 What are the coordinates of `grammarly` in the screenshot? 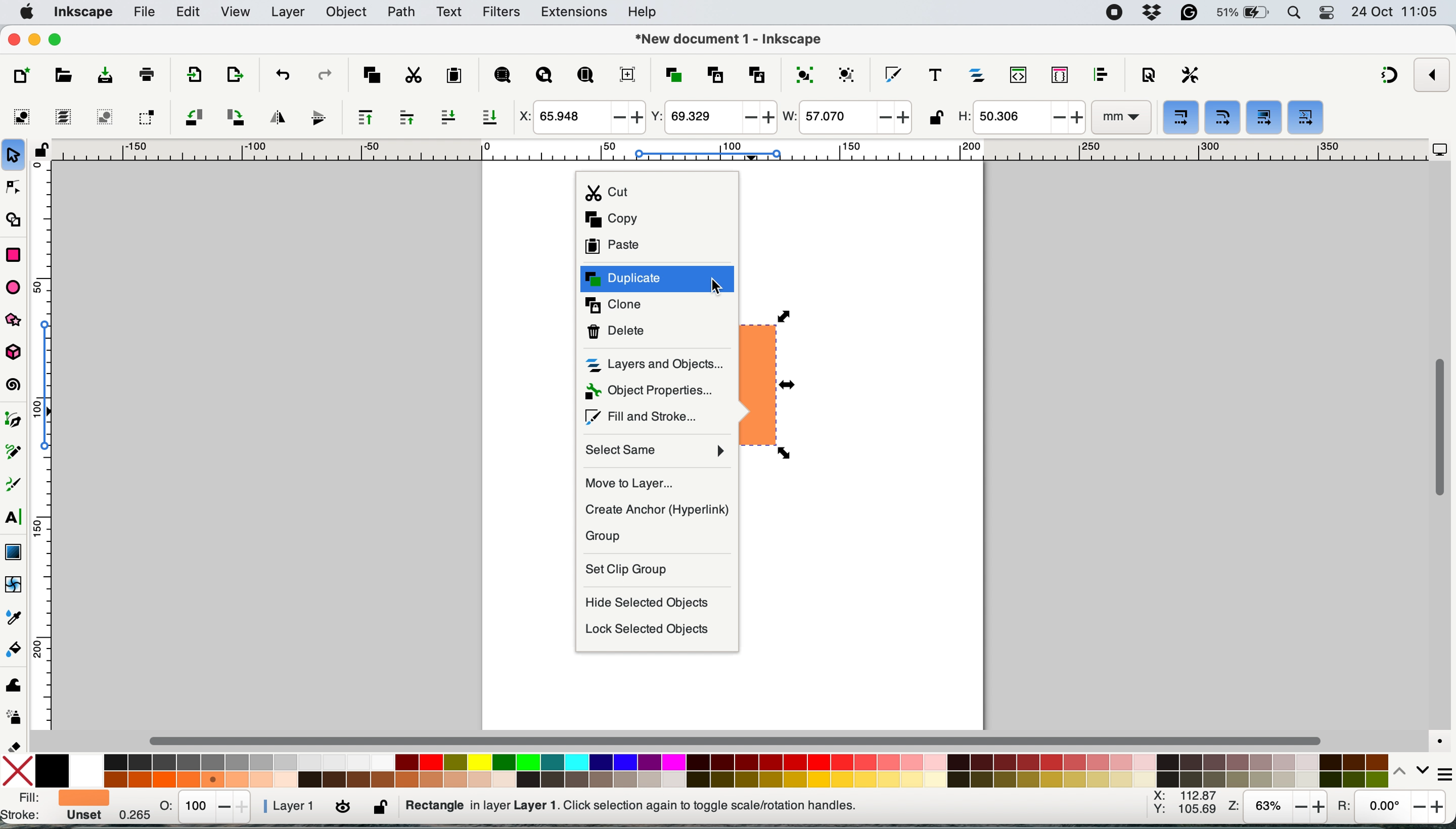 It's located at (1191, 14).